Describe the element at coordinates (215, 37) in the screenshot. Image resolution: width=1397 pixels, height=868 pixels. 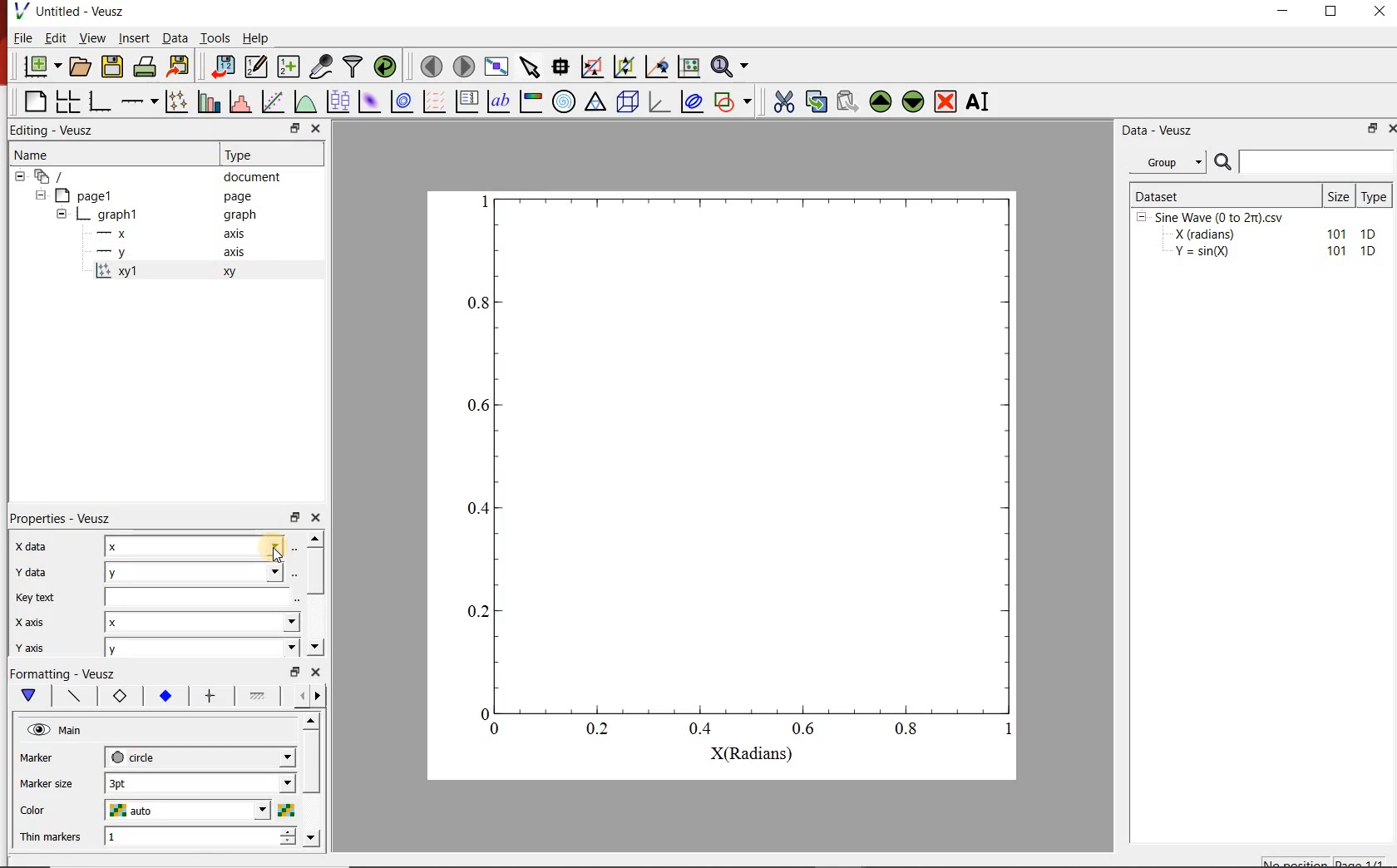
I see `Tools` at that location.